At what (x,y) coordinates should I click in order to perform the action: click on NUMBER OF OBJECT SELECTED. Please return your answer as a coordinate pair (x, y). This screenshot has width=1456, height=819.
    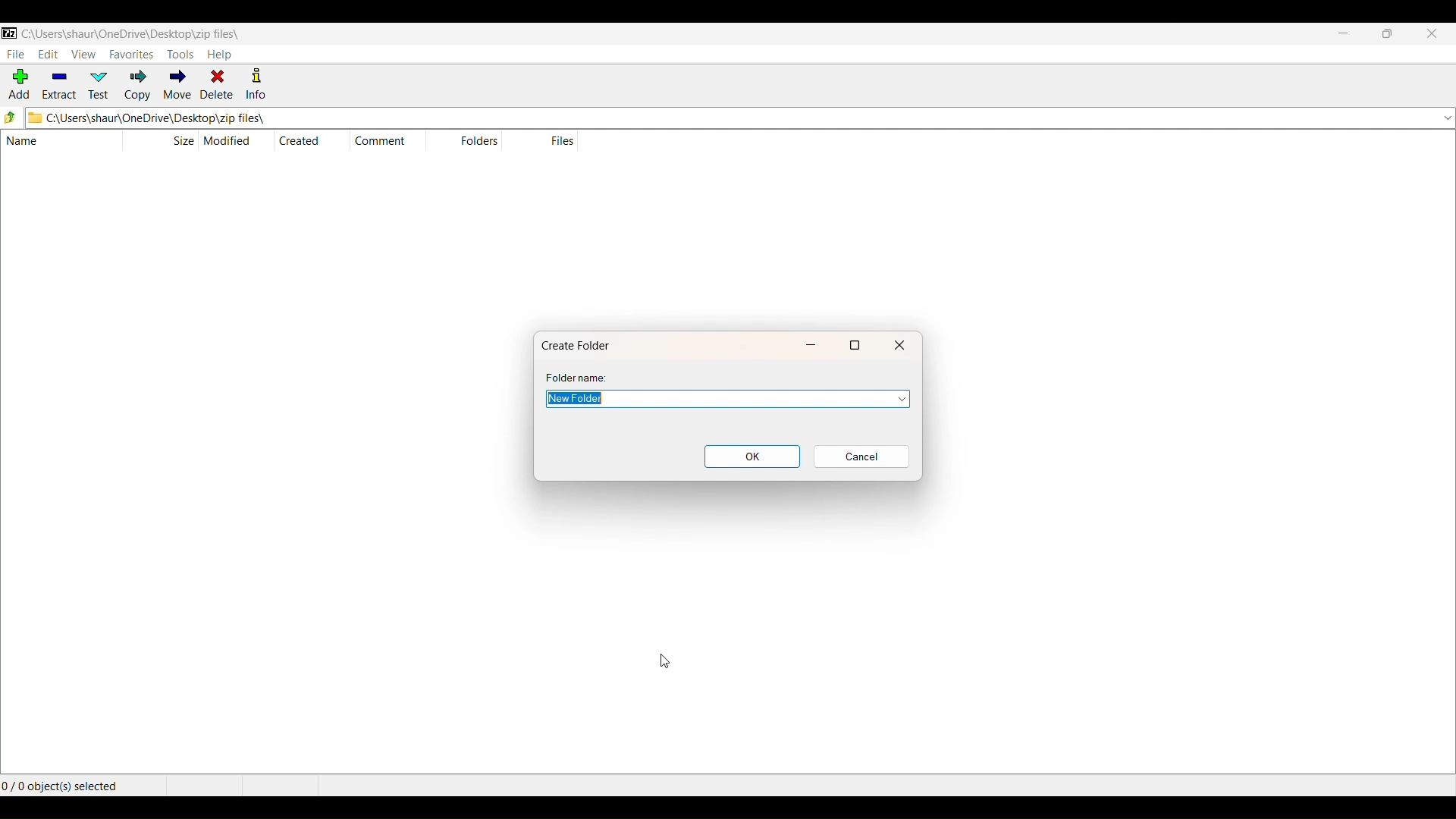
    Looking at the image, I should click on (80, 783).